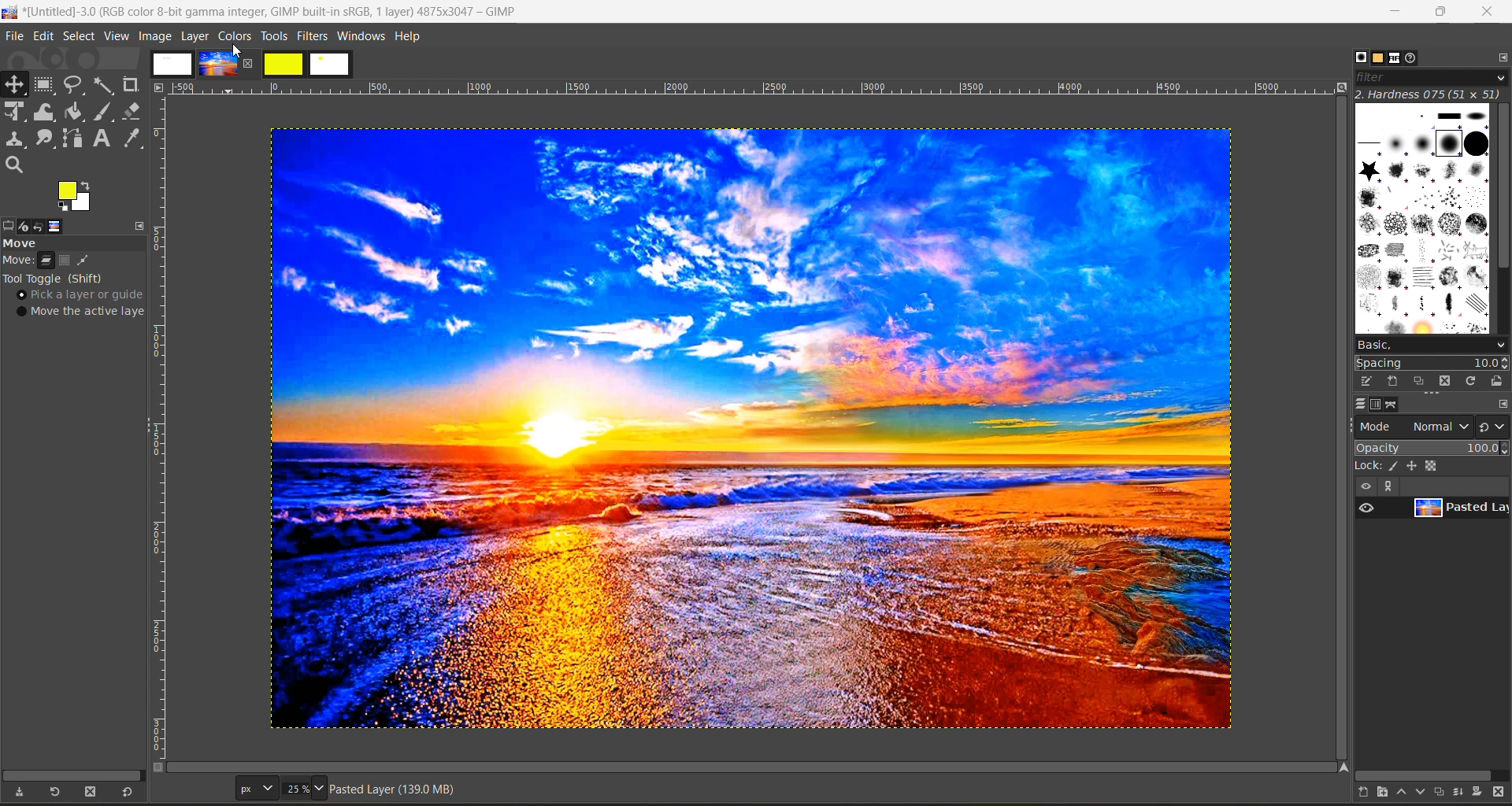 Image resolution: width=1512 pixels, height=806 pixels. What do you see at coordinates (9, 226) in the screenshot?
I see `tool options` at bounding box center [9, 226].